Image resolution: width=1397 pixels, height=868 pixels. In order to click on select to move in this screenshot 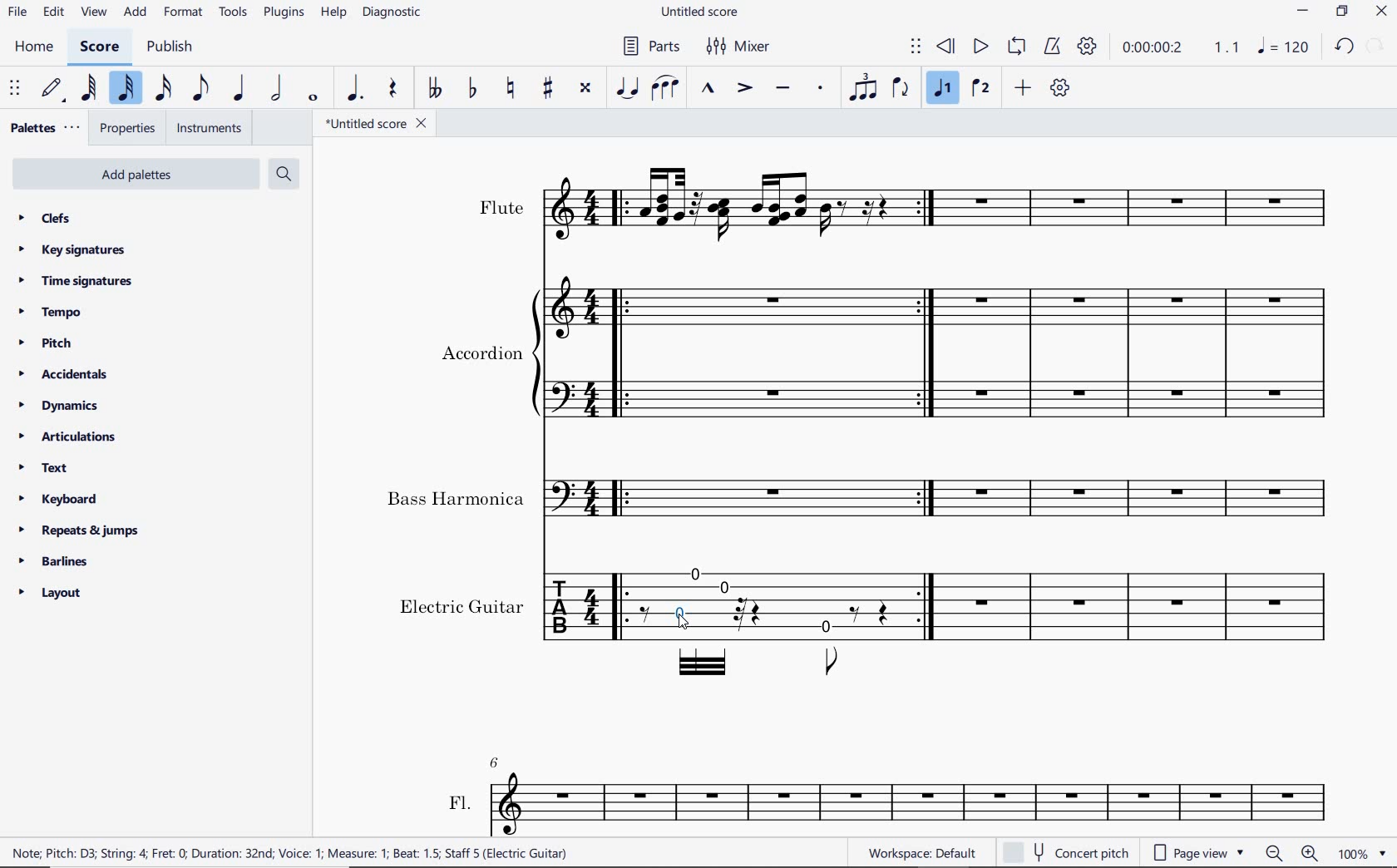, I will do `click(915, 47)`.